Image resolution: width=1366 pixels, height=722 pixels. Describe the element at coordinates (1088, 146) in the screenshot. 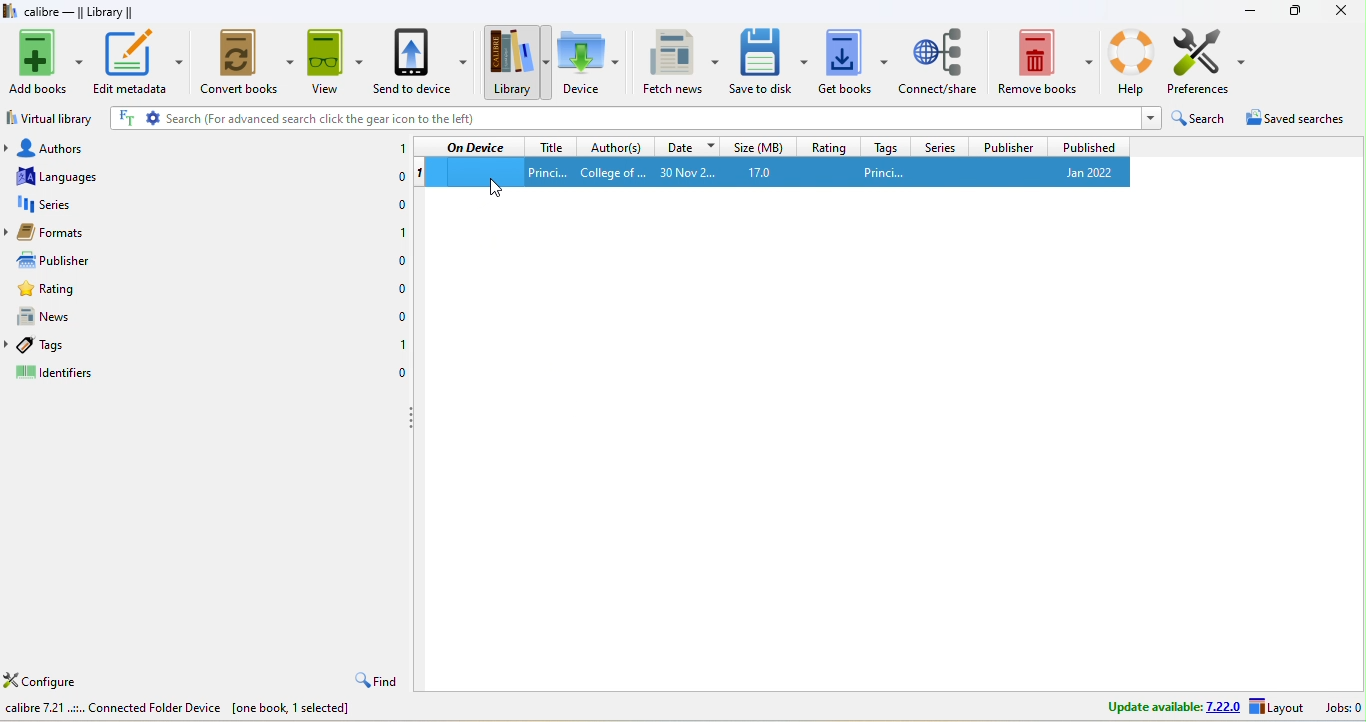

I see `published` at that location.